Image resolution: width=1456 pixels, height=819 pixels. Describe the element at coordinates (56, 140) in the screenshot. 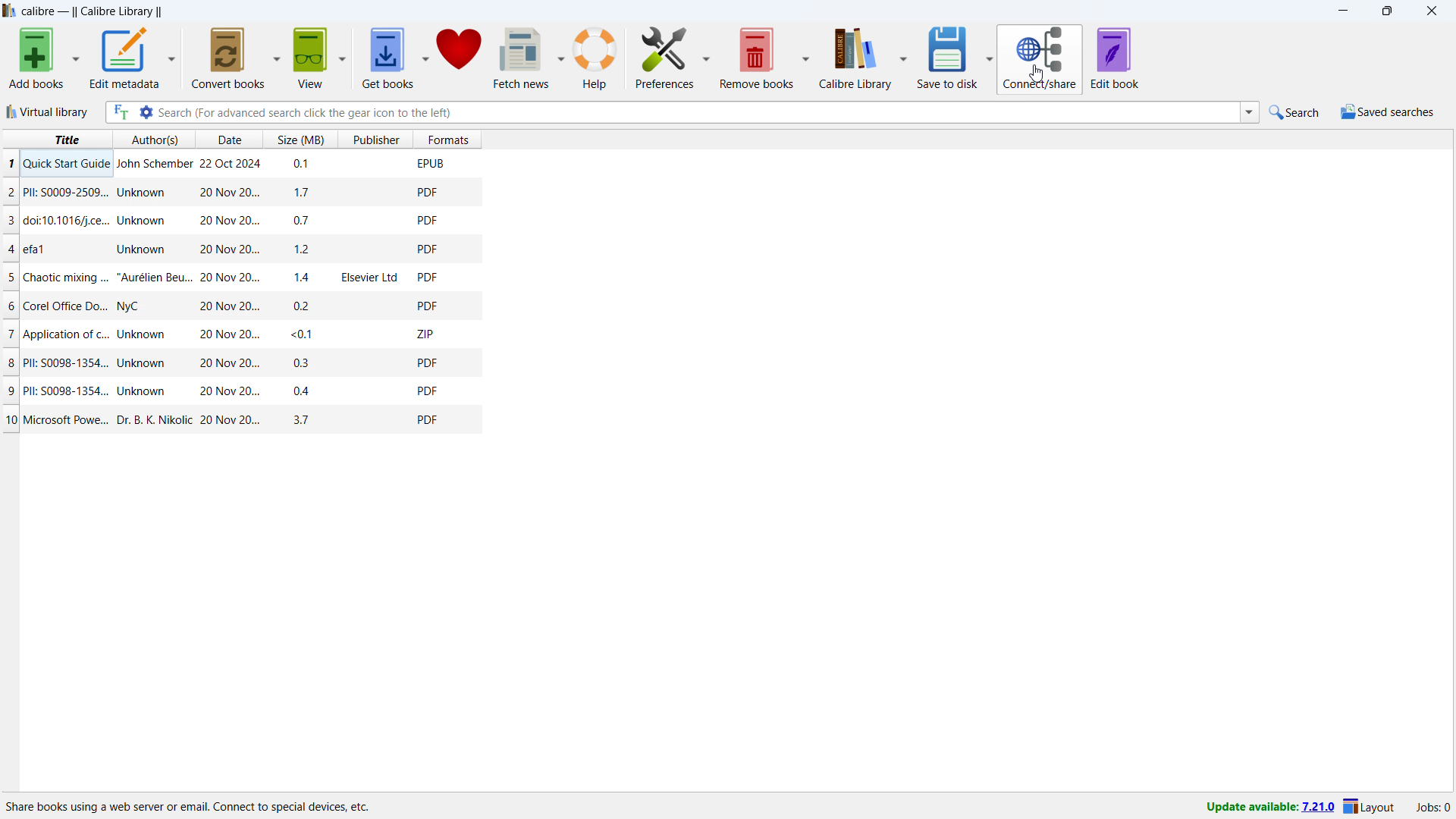

I see `sort by title` at that location.